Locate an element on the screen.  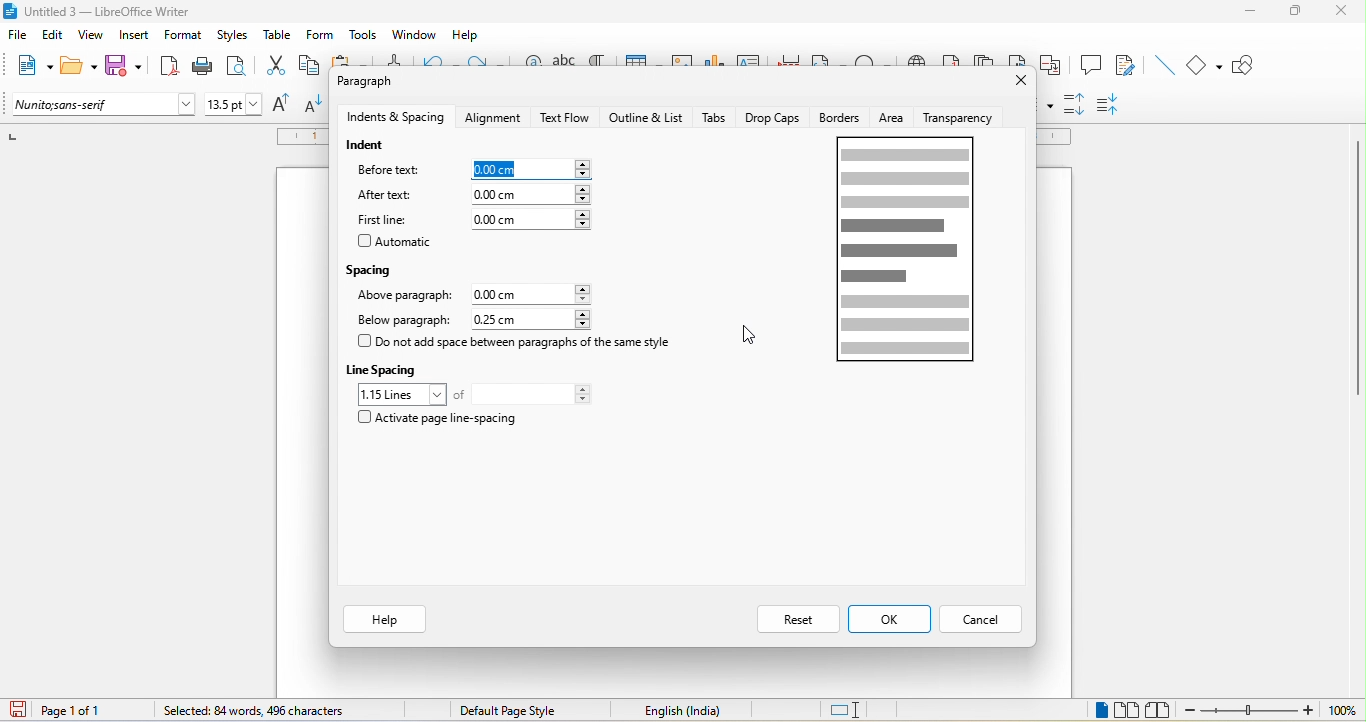
alignment is located at coordinates (492, 115).